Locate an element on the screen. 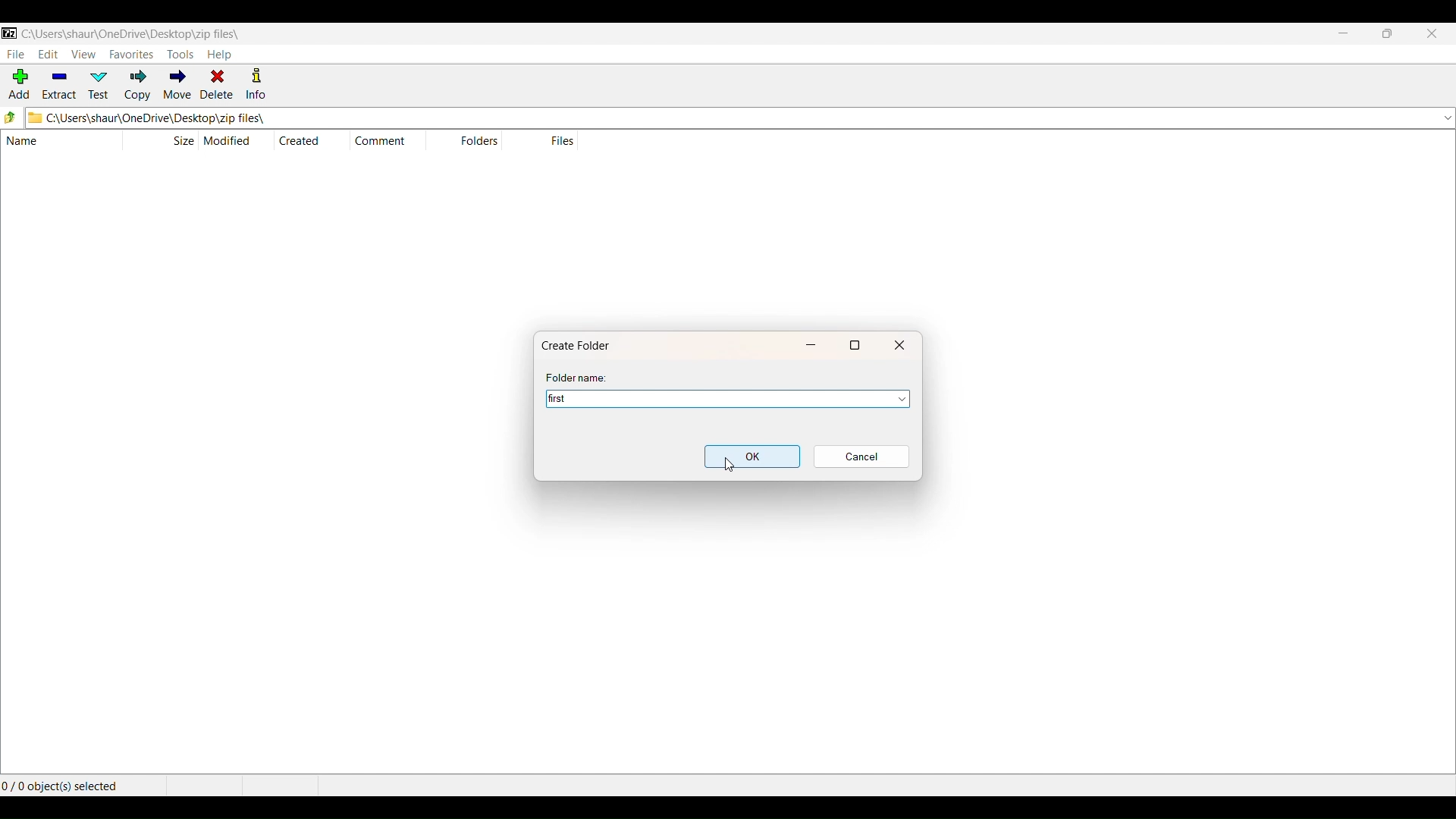 The width and height of the screenshot is (1456, 819). FOLDERS is located at coordinates (476, 142).